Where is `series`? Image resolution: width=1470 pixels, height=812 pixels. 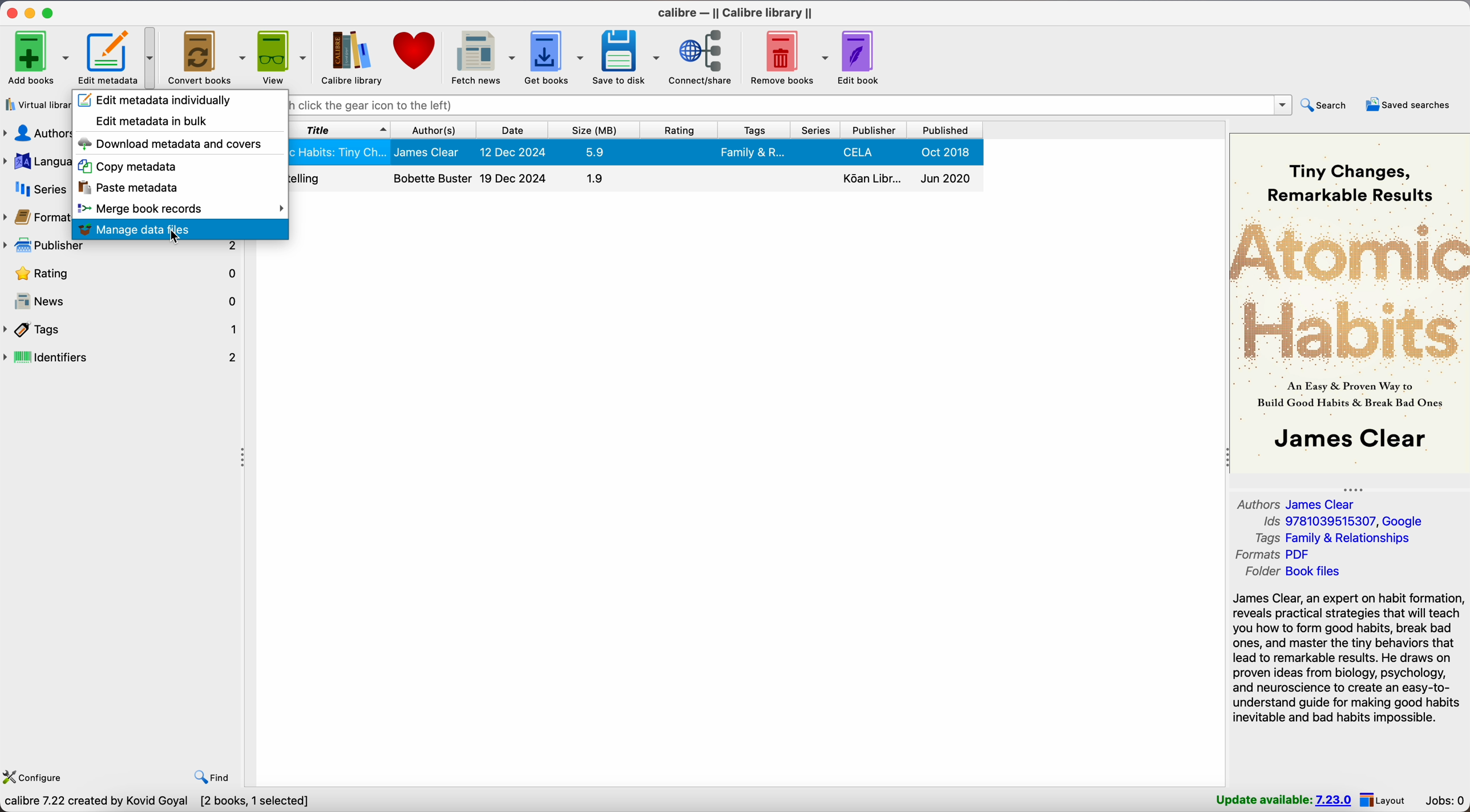 series is located at coordinates (35, 188).